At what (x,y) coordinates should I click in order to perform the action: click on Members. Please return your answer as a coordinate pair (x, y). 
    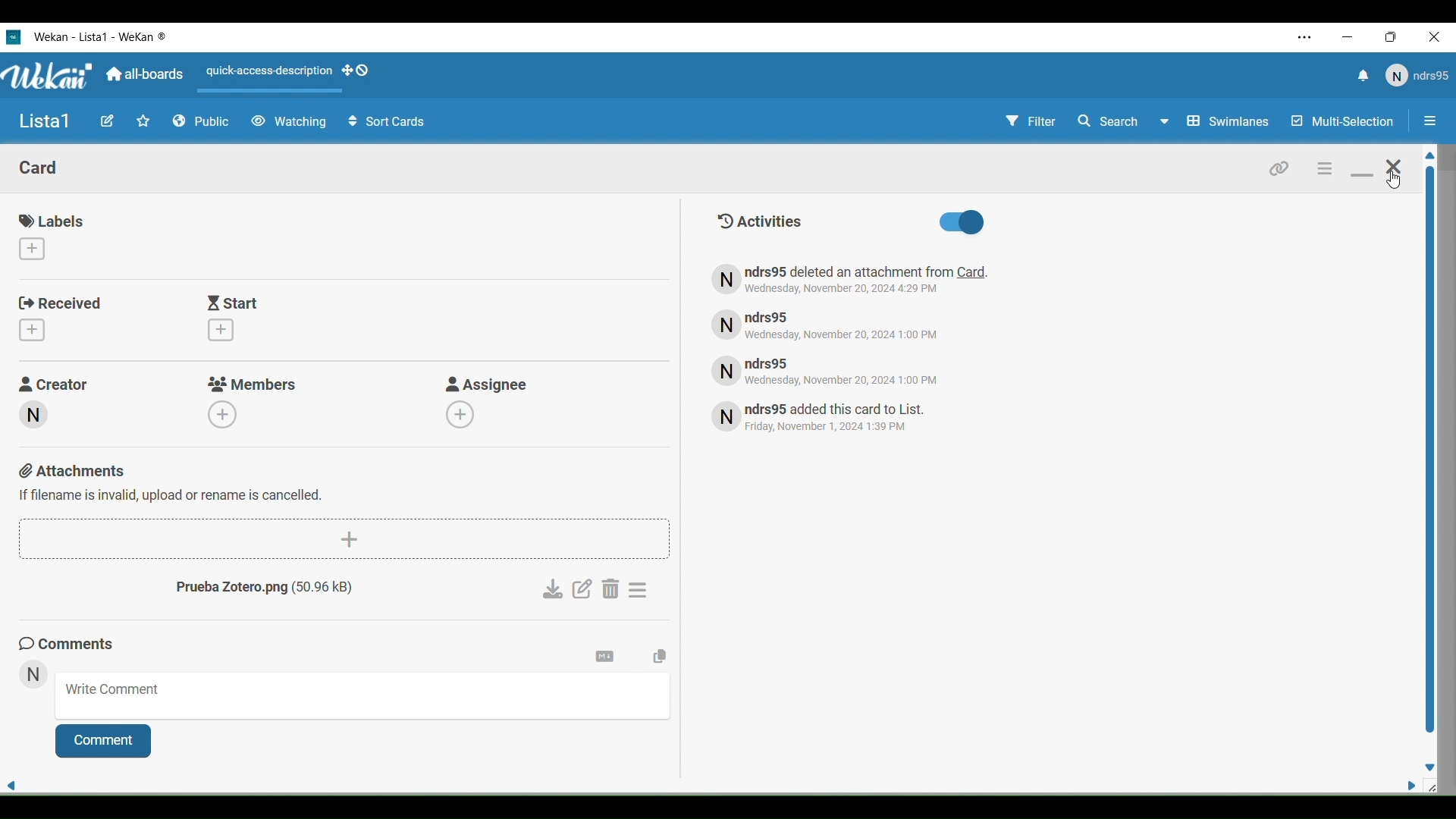
    Looking at the image, I should click on (253, 384).